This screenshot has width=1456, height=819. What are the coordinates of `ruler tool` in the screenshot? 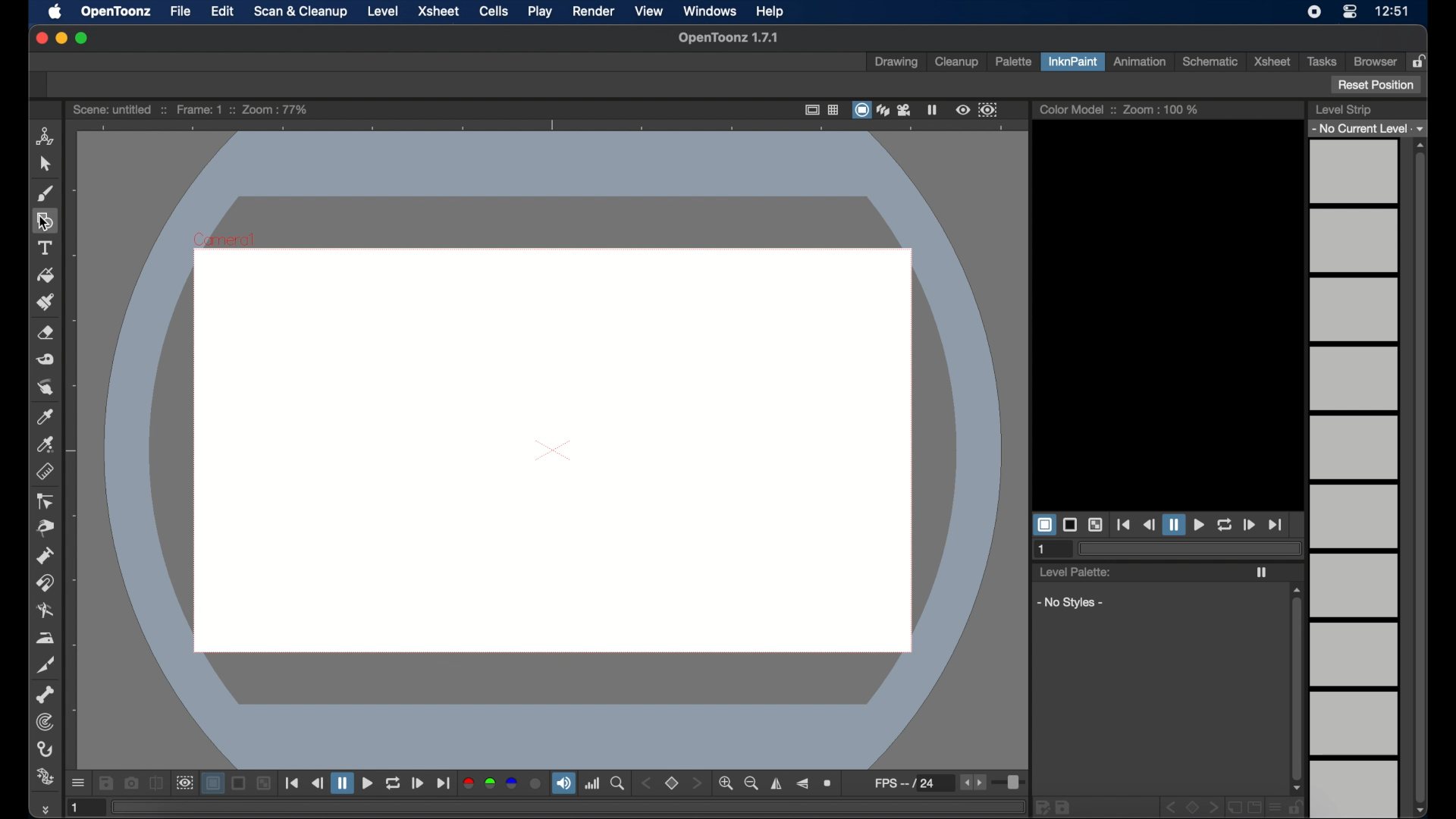 It's located at (45, 472).